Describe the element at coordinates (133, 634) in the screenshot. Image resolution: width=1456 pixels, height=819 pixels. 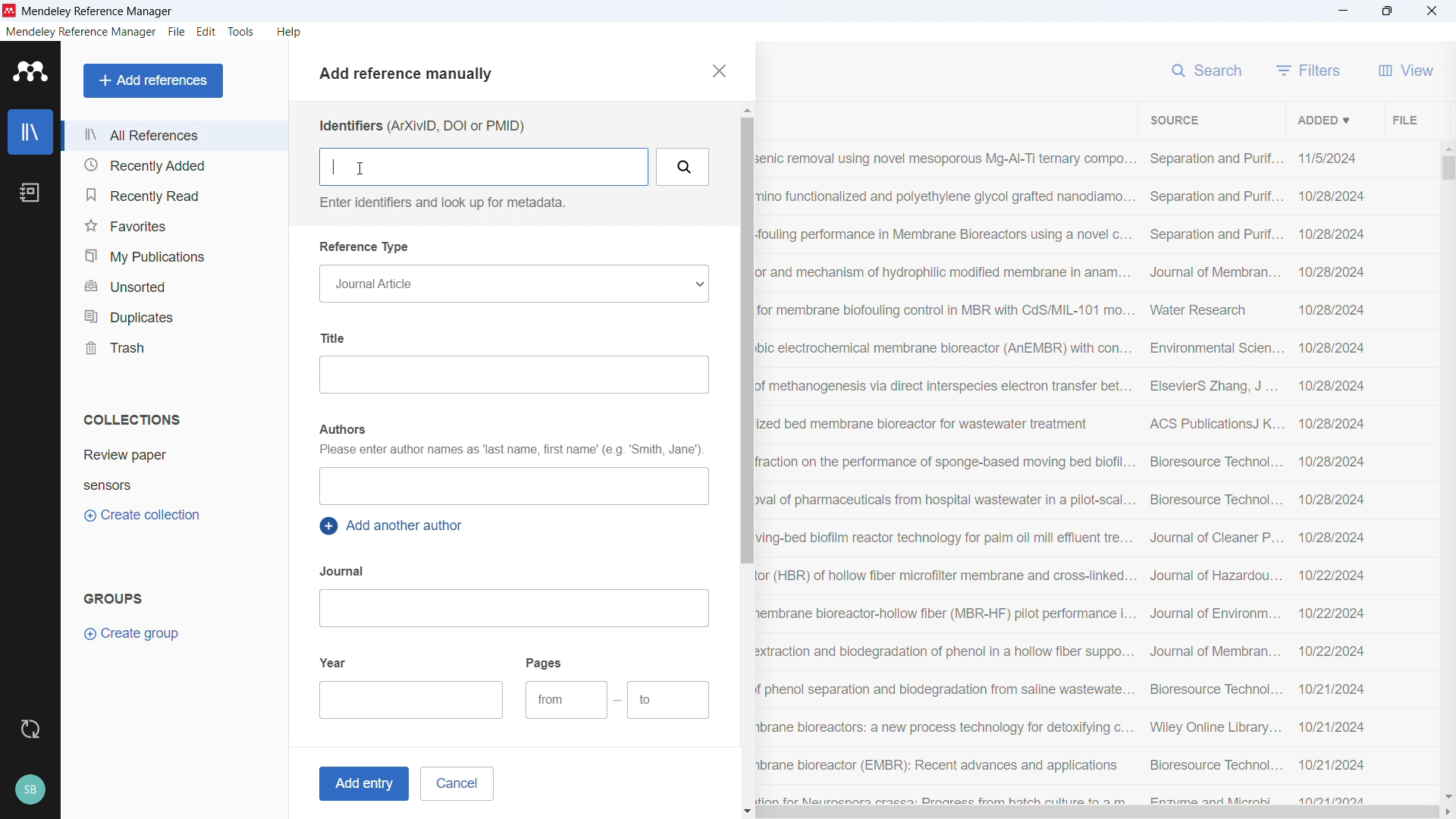
I see `Create group ` at that location.